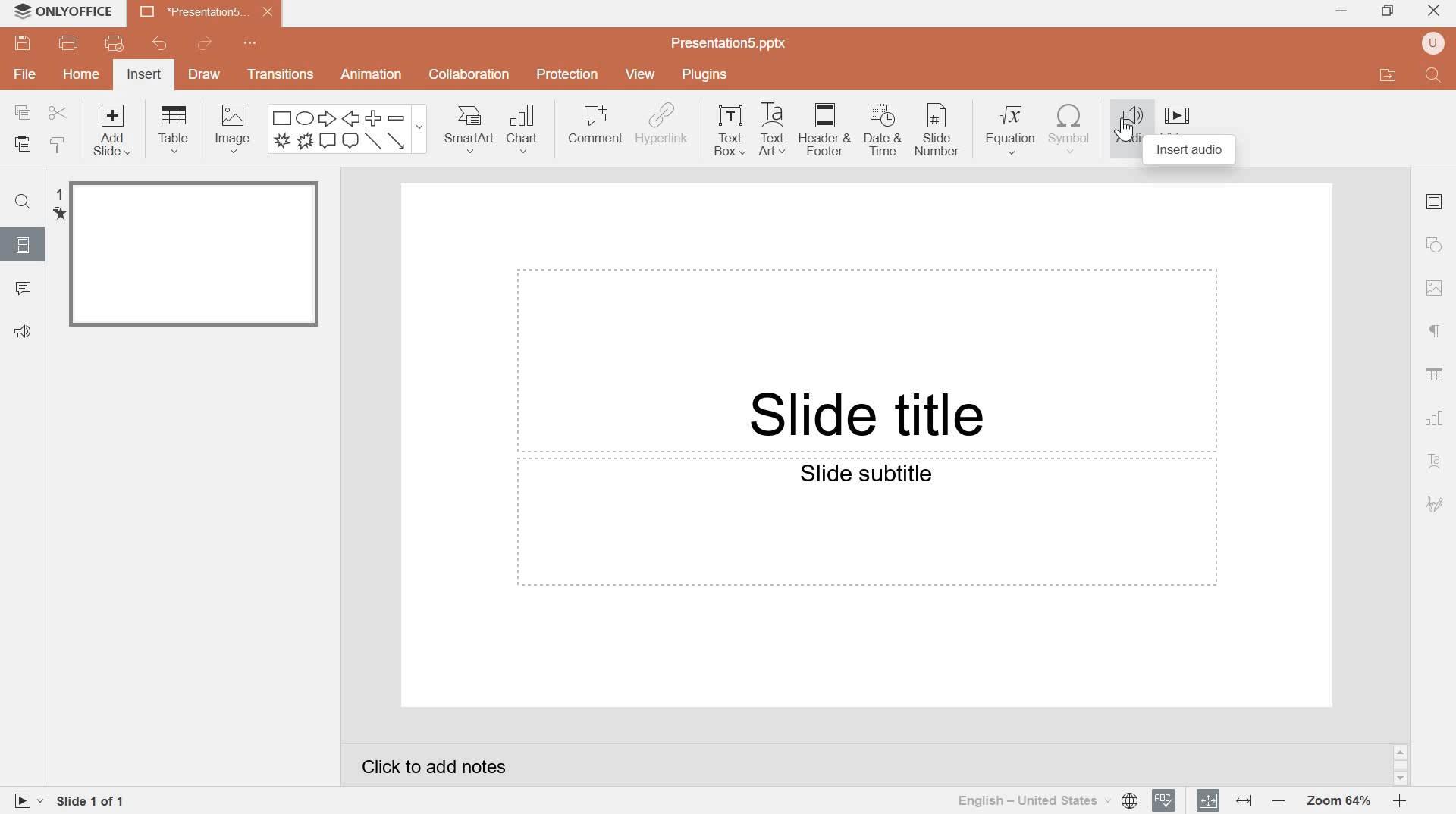 The image size is (1456, 814). Describe the element at coordinates (662, 126) in the screenshot. I see `Hyperlink` at that location.